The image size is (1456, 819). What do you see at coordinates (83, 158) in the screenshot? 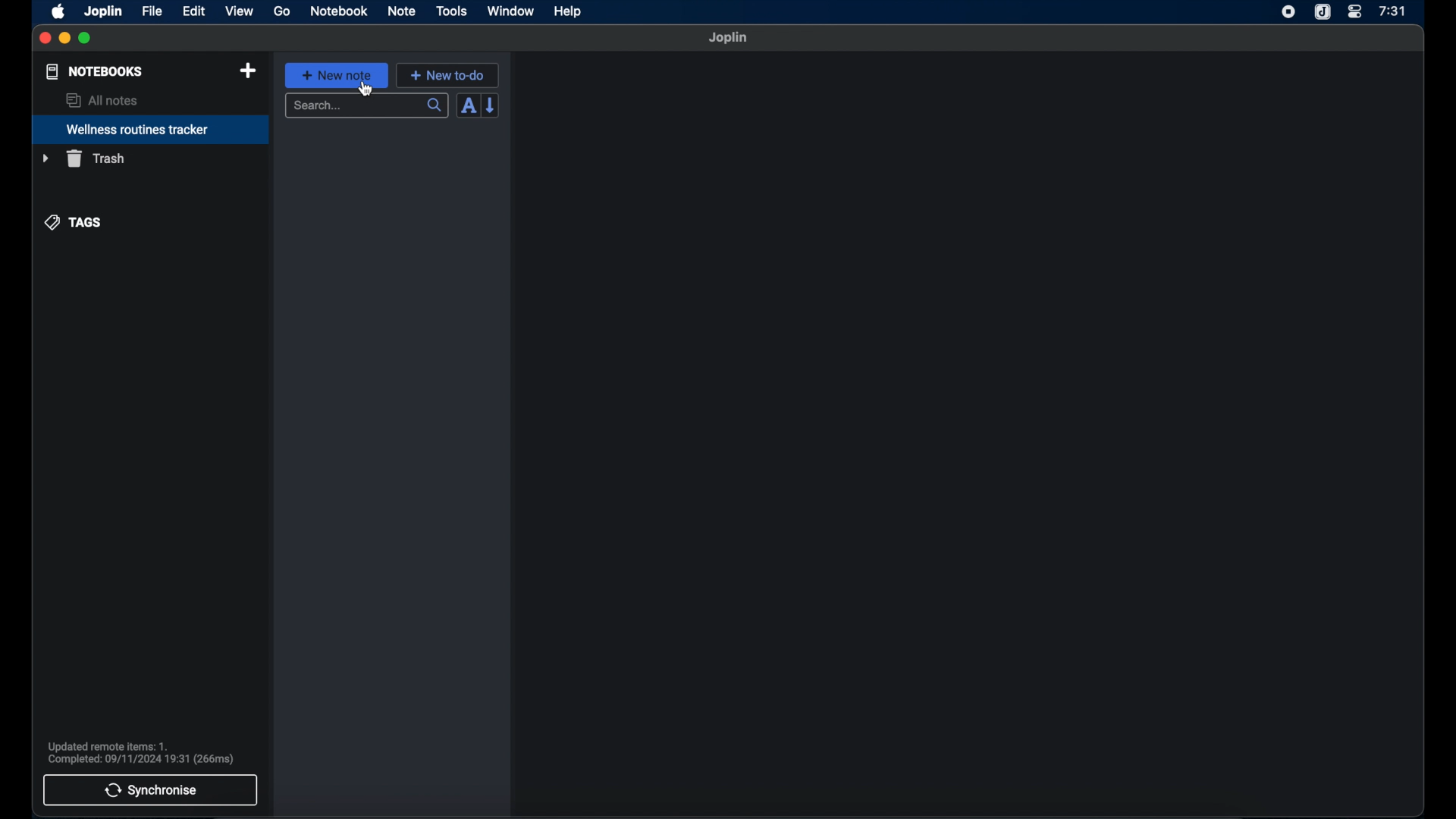
I see `trash` at bounding box center [83, 158].